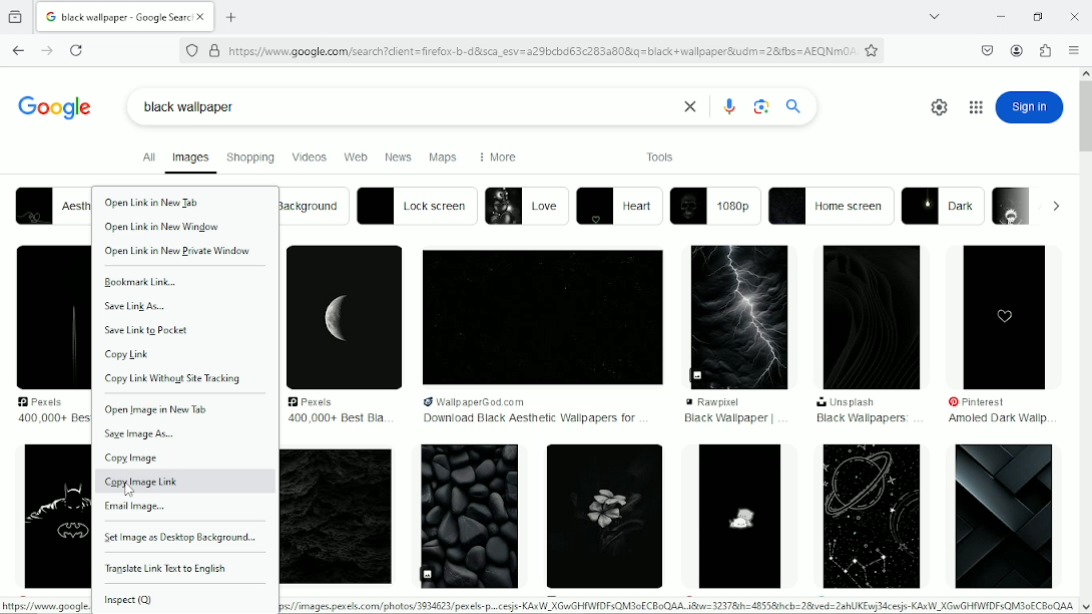 The height and width of the screenshot is (614, 1092). What do you see at coordinates (138, 508) in the screenshot?
I see `Email image` at bounding box center [138, 508].